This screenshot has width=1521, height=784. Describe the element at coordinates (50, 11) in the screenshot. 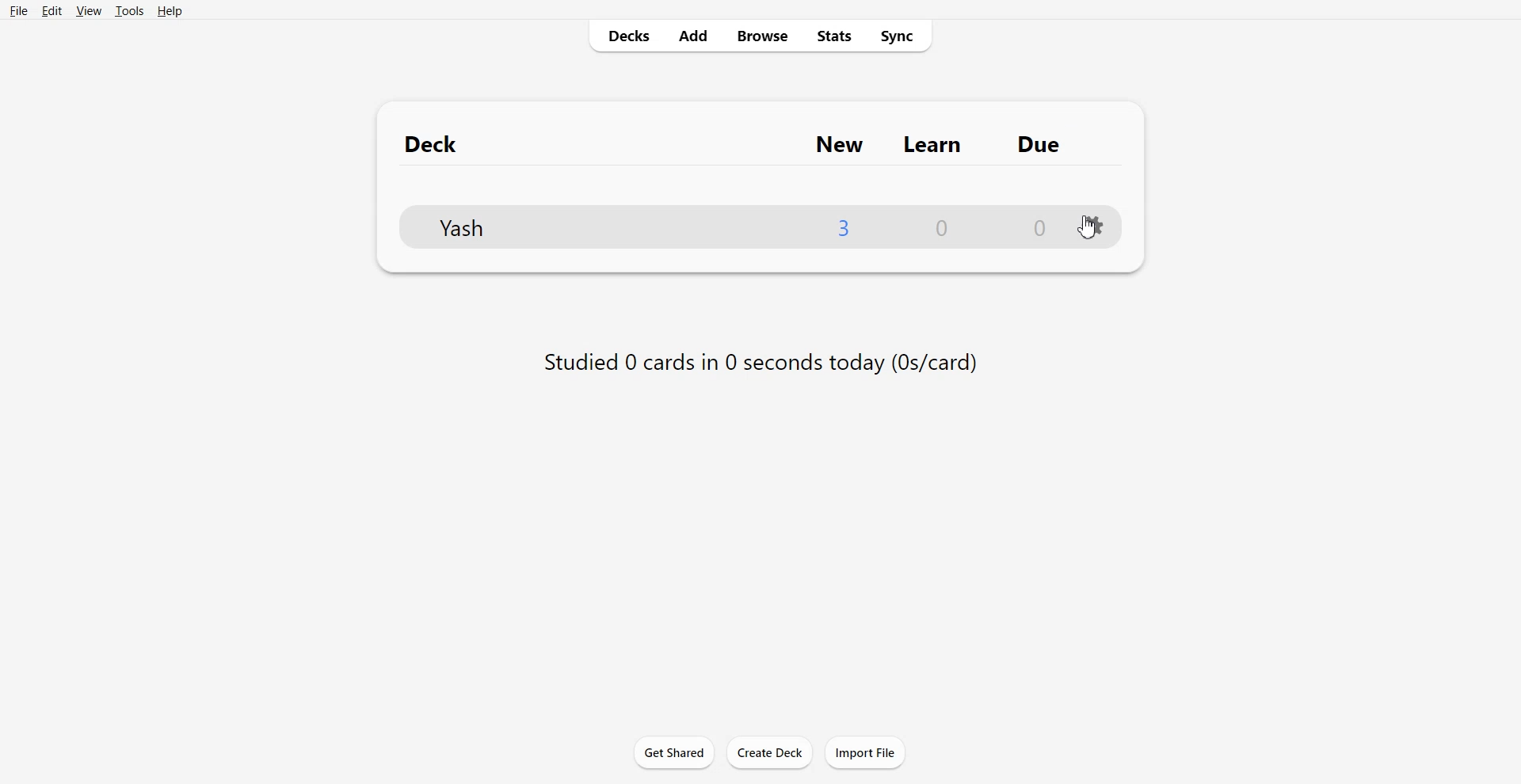

I see `Edit` at that location.